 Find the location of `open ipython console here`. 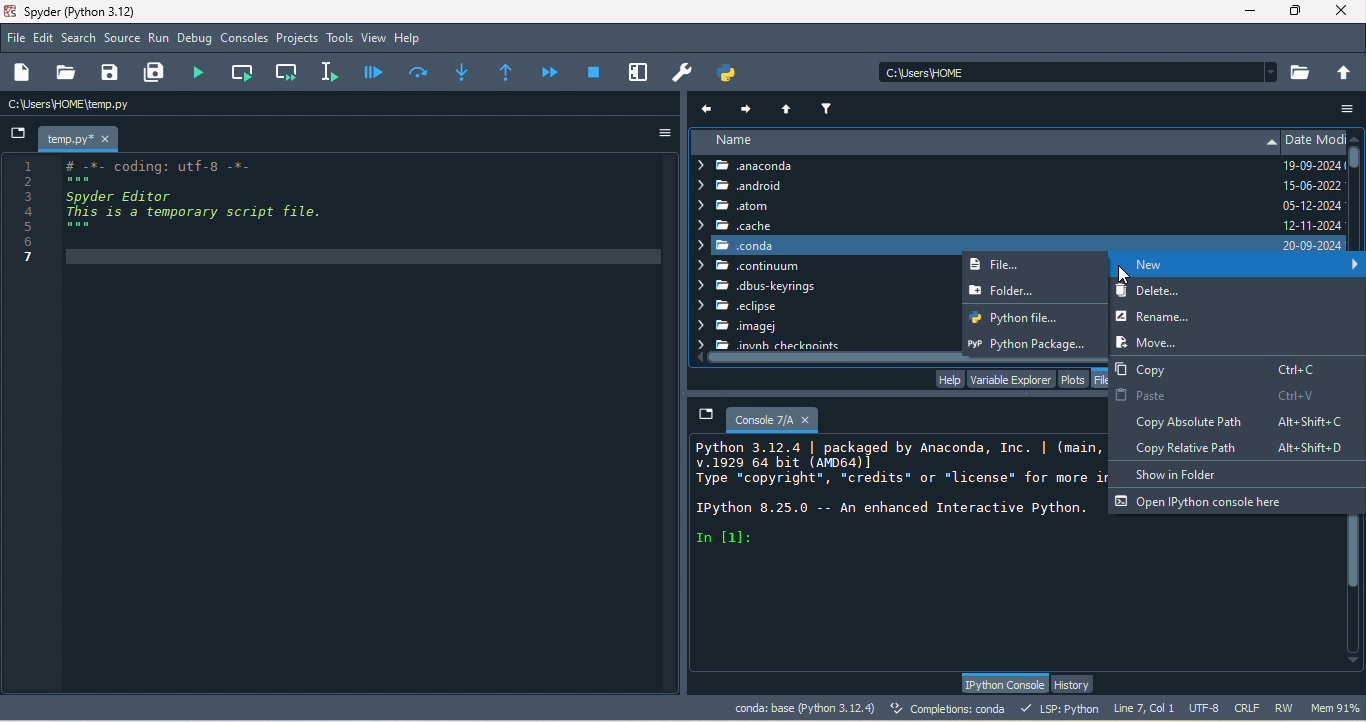

open ipython console here is located at coordinates (1204, 501).